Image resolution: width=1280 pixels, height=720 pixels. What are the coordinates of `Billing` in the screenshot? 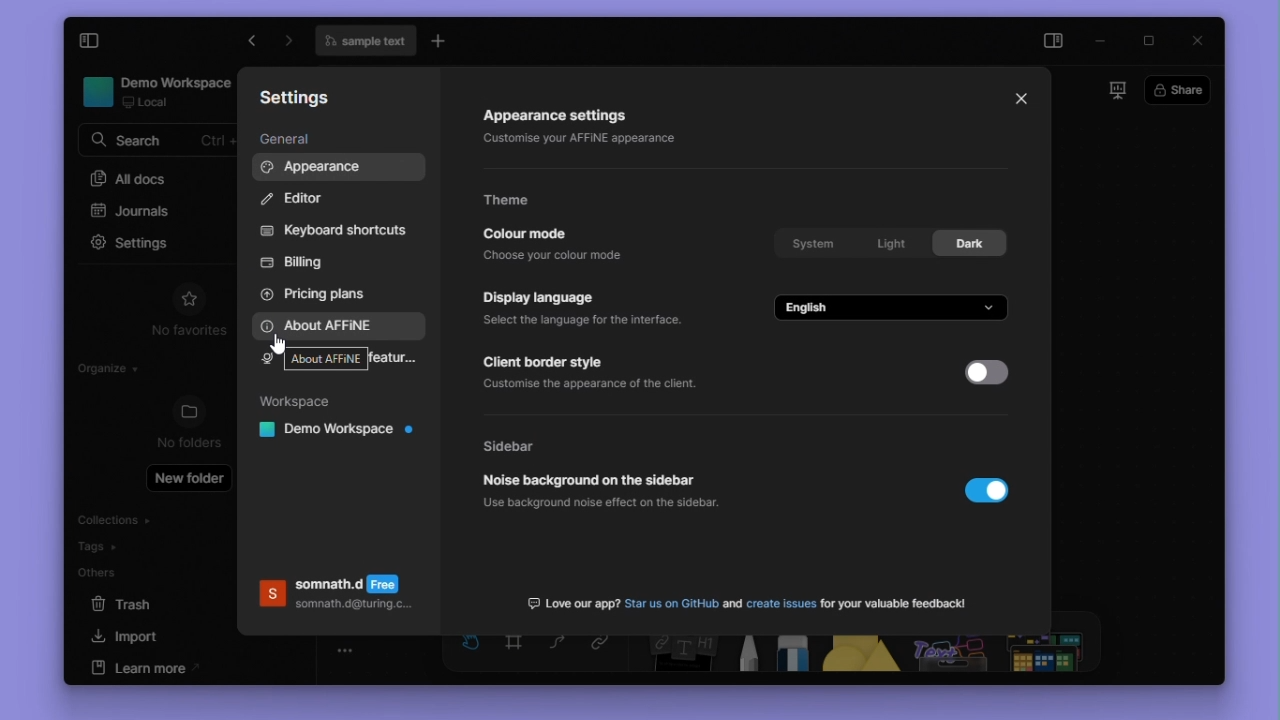 It's located at (292, 264).